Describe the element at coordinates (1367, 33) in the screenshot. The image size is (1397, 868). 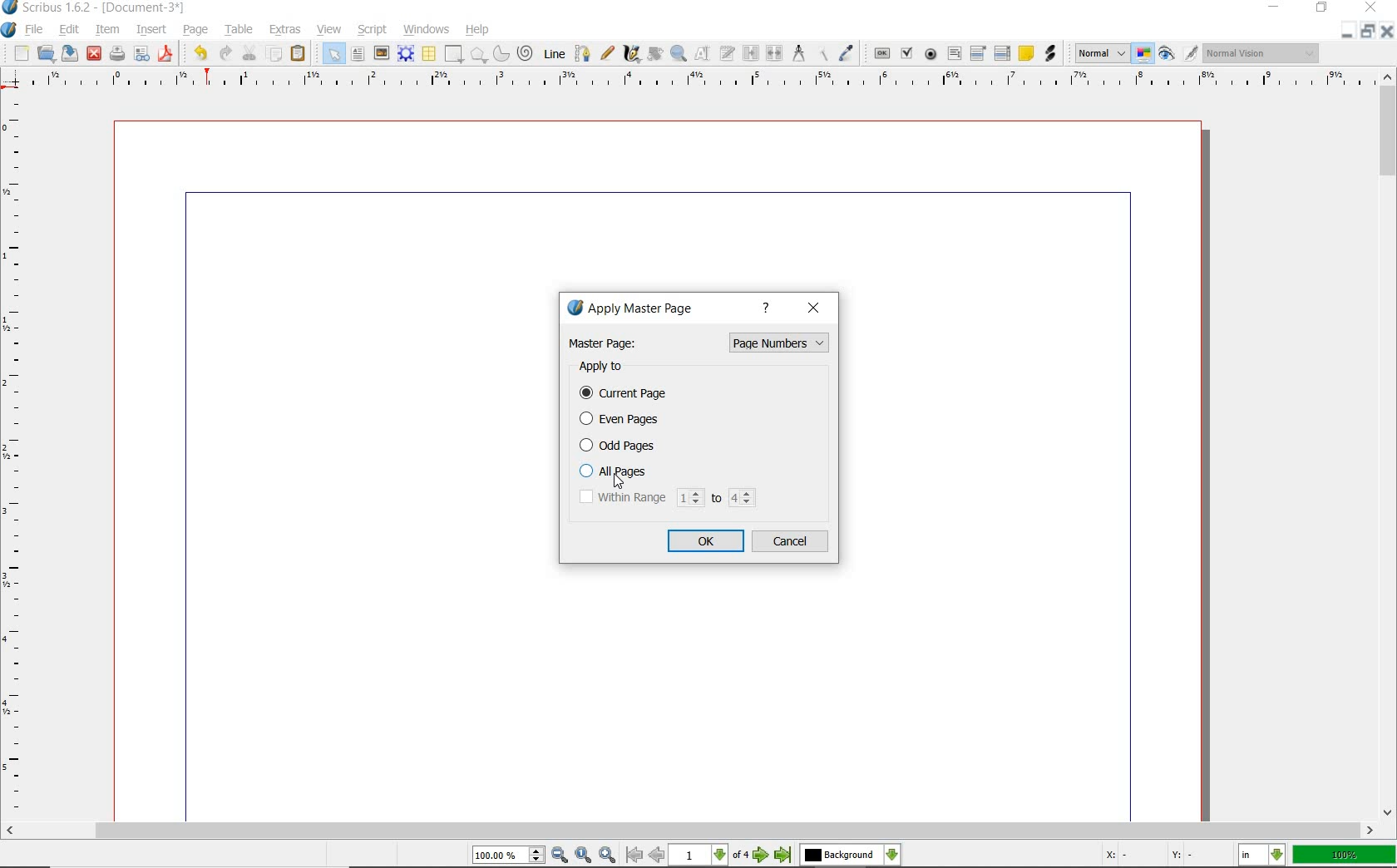
I see `Minimize` at that location.